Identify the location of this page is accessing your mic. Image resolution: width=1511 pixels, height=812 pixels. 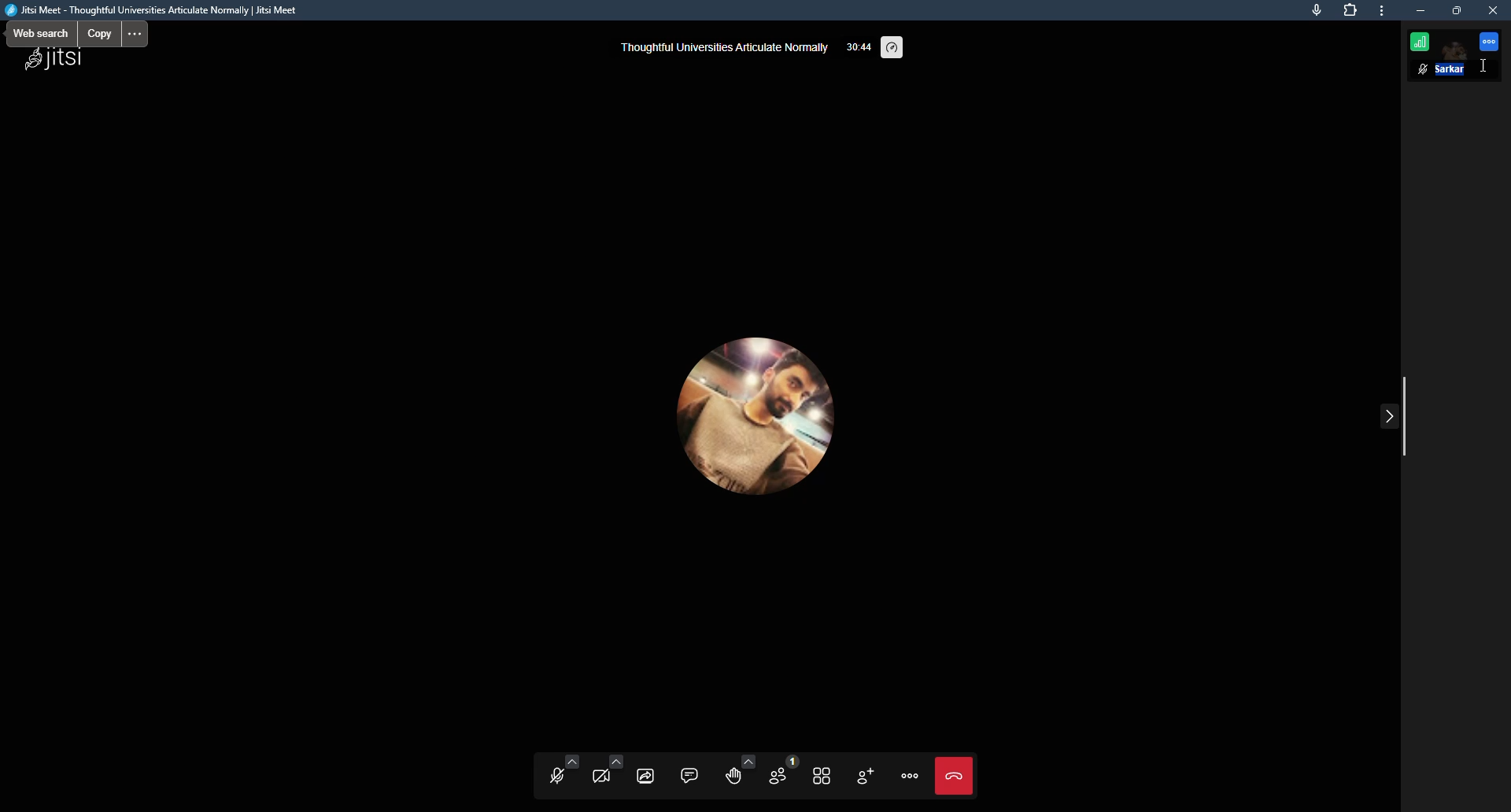
(1316, 11).